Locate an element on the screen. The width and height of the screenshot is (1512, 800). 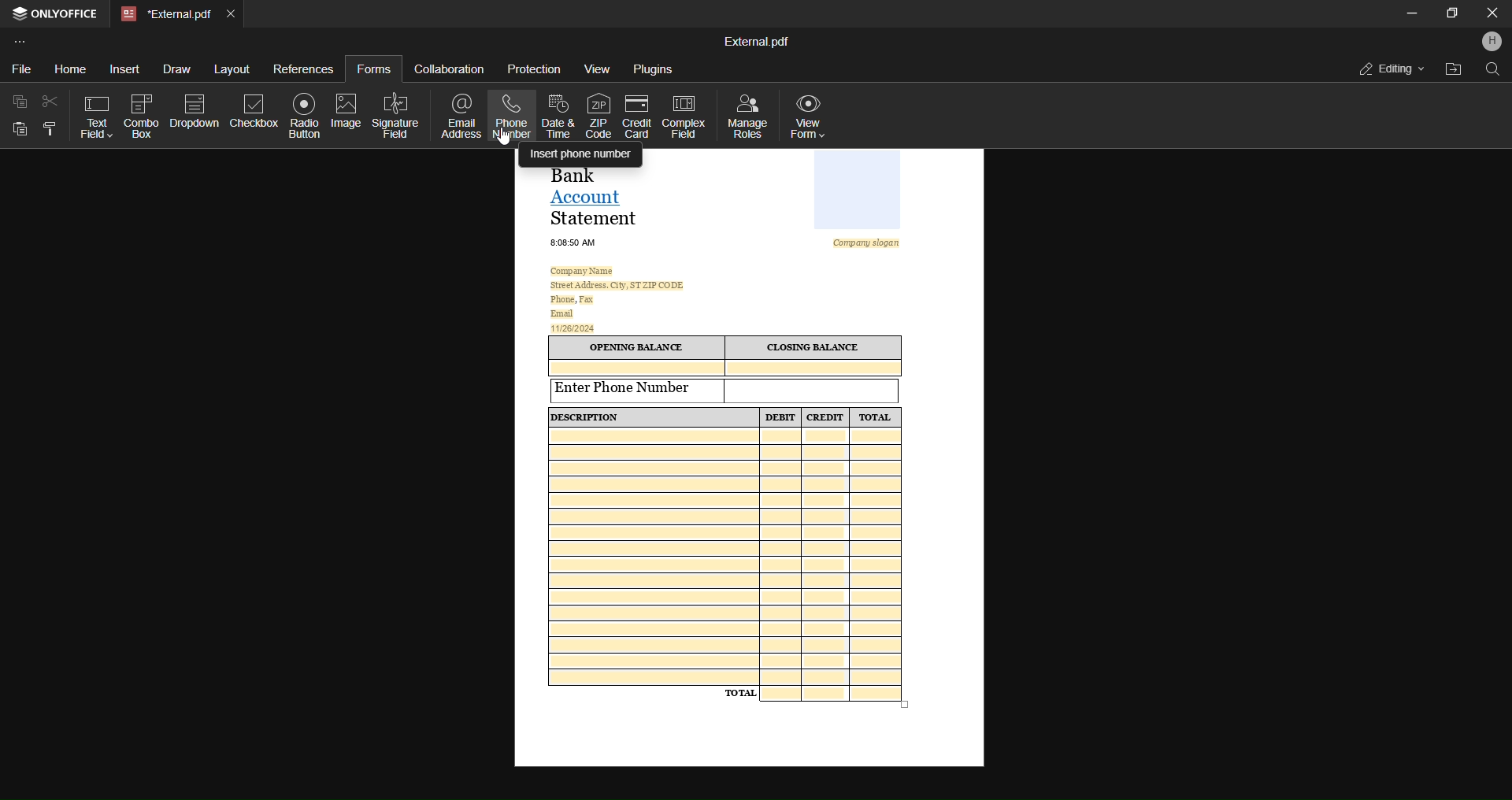
phone number is located at coordinates (511, 114).